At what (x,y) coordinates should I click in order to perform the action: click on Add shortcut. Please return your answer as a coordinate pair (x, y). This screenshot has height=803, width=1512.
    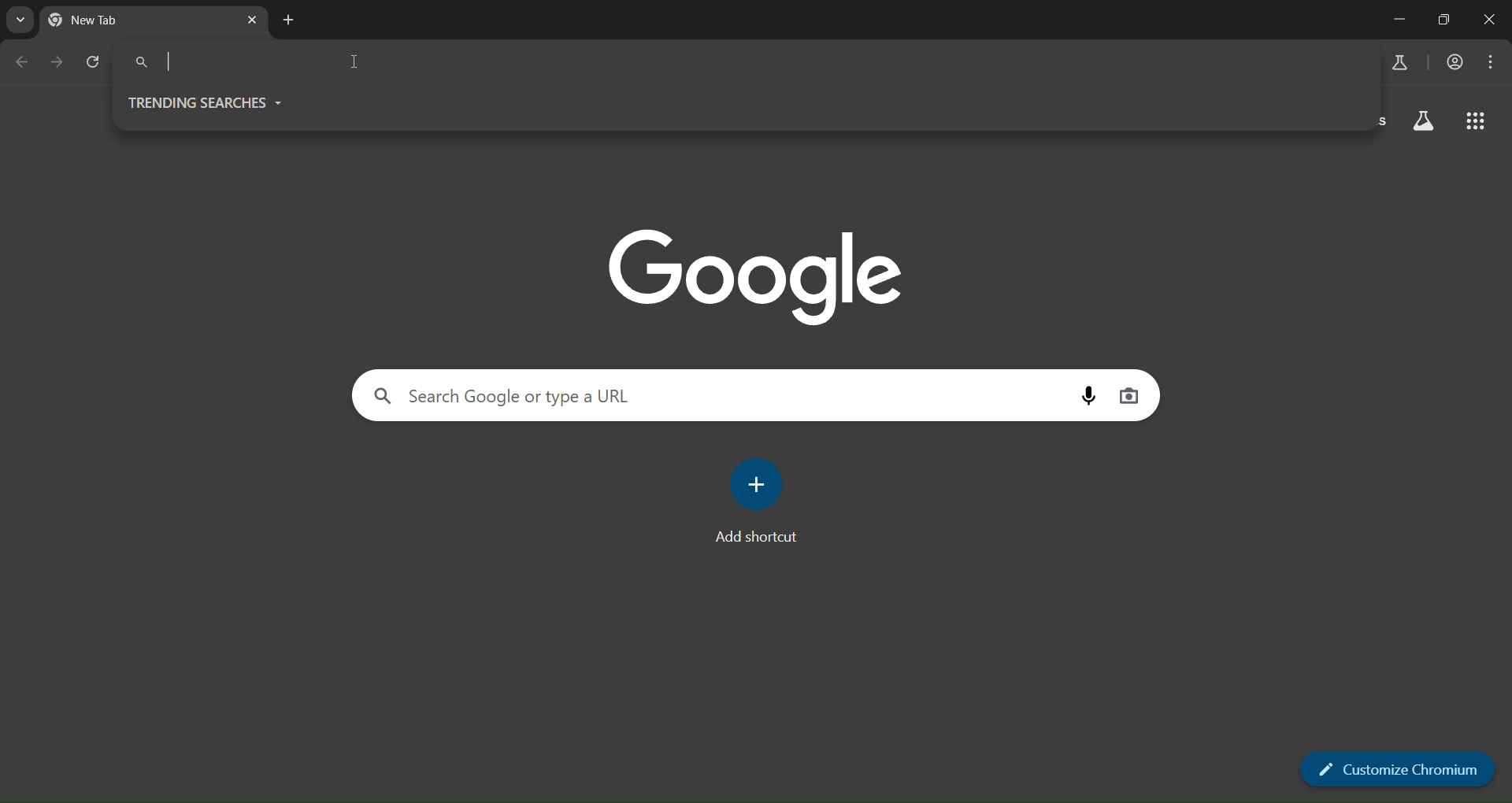
    Looking at the image, I should click on (755, 538).